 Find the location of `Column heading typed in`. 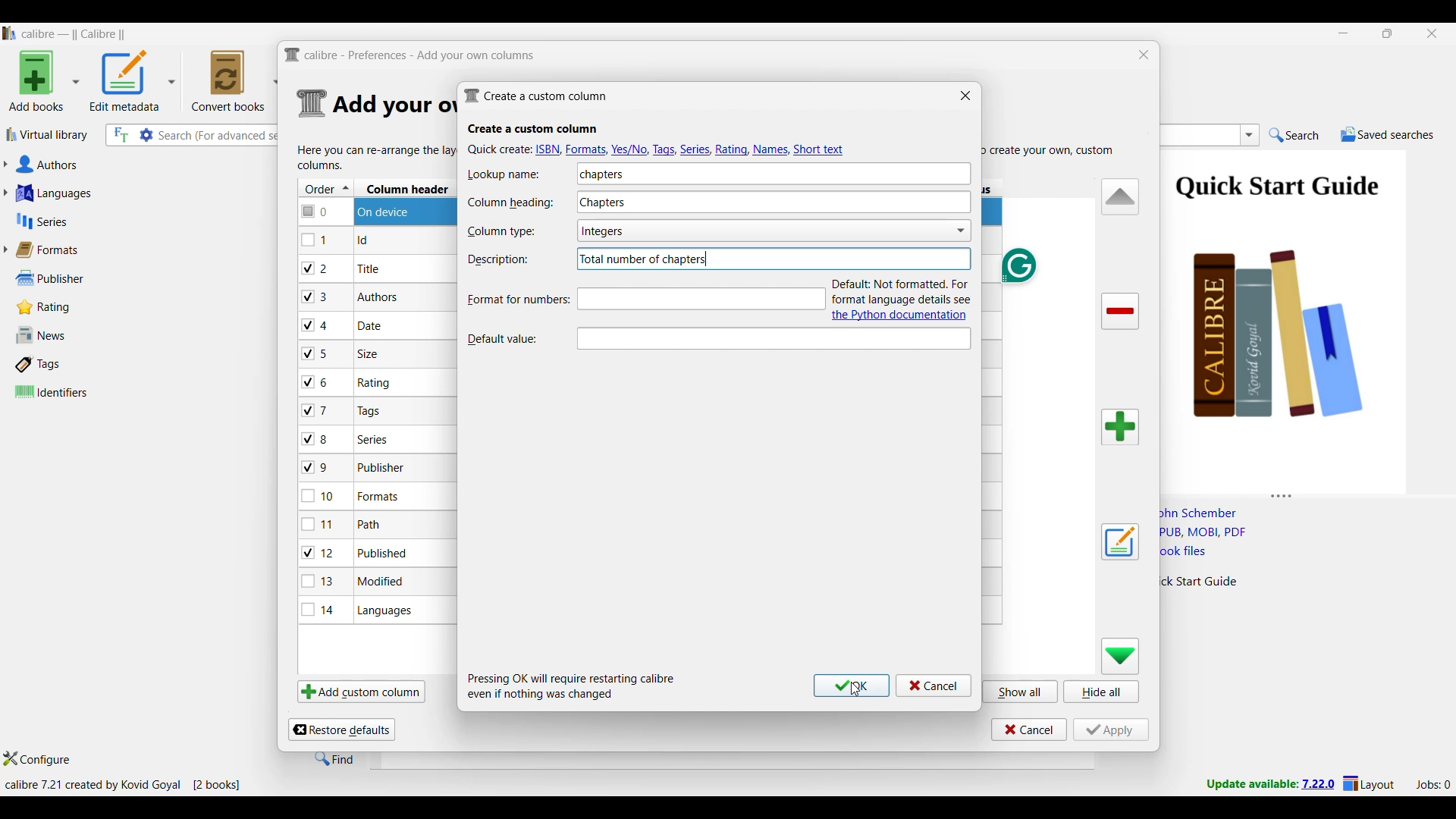

Column heading typed in is located at coordinates (695, 199).